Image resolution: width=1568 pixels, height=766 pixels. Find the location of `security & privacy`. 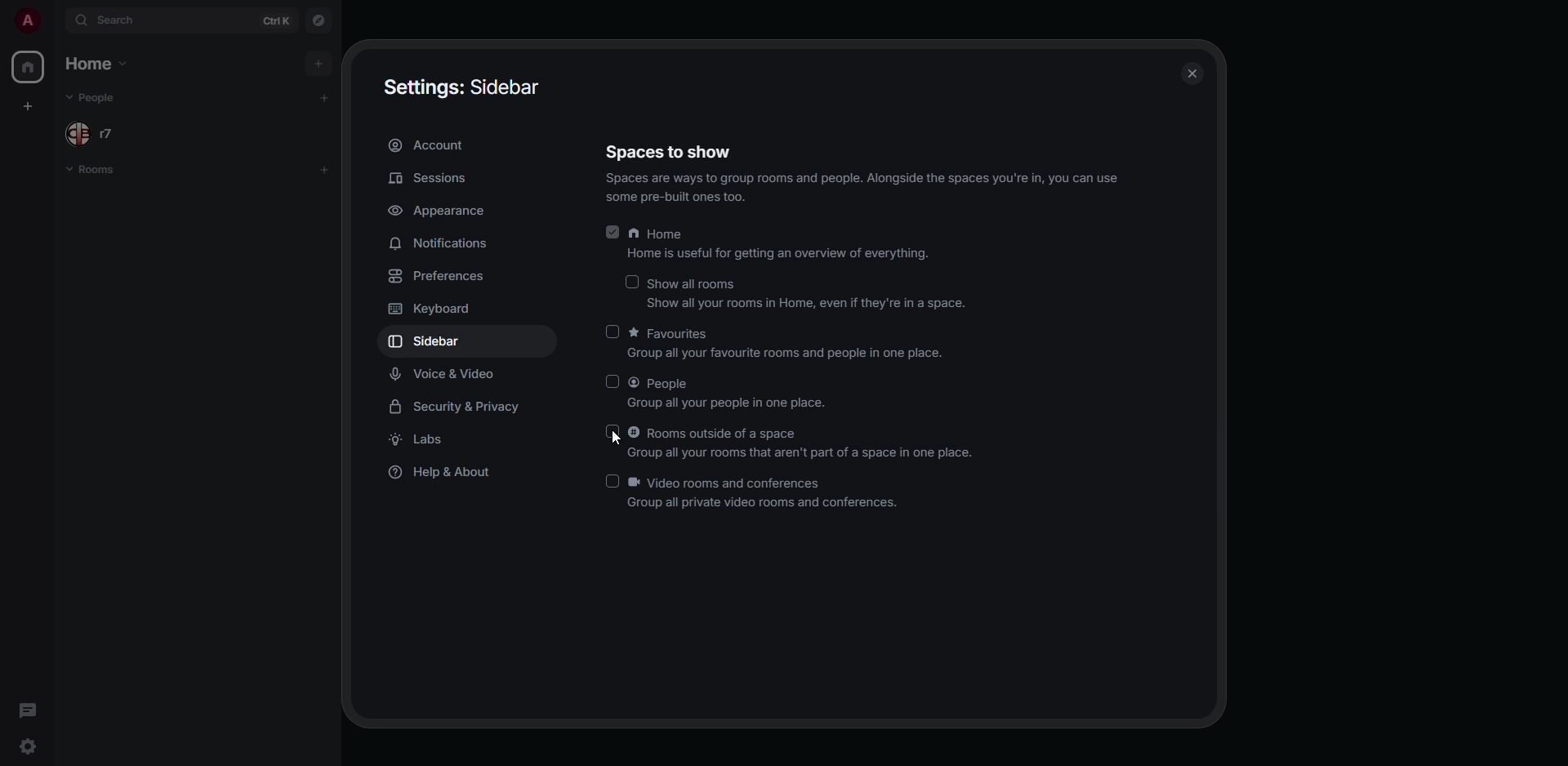

security & privacy is located at coordinates (461, 408).